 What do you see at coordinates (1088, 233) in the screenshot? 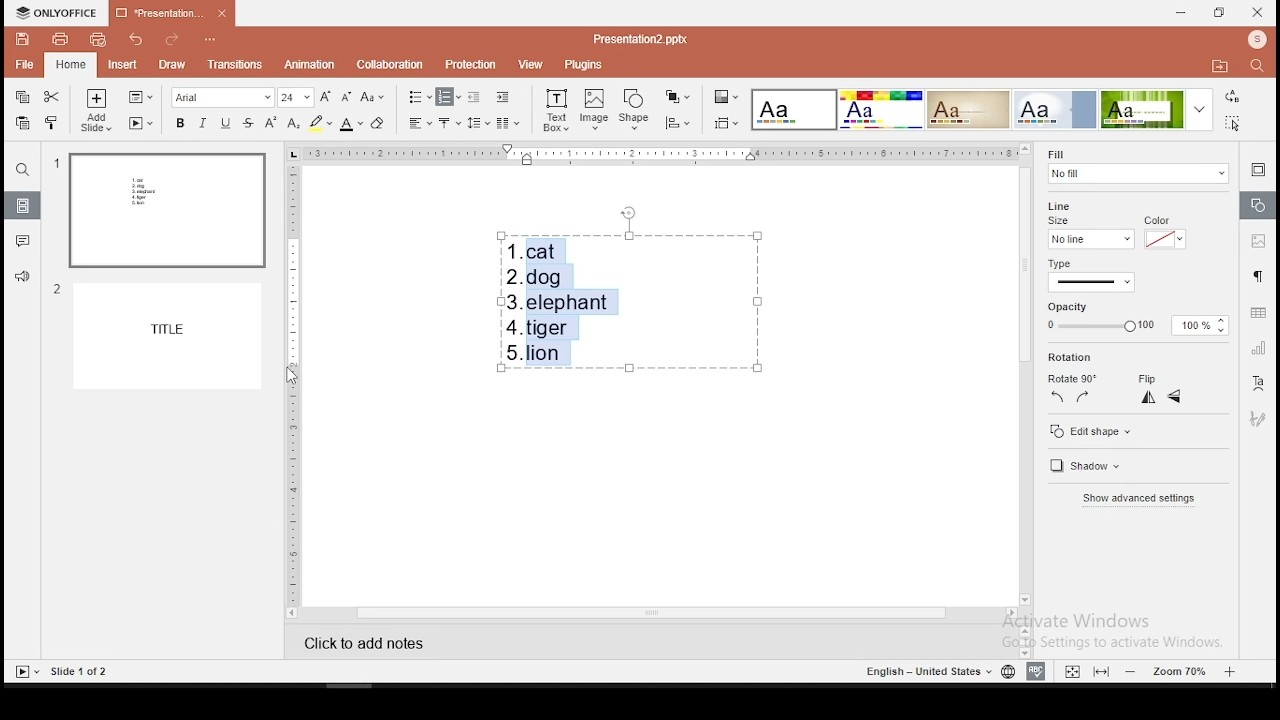
I see `line size` at bounding box center [1088, 233].